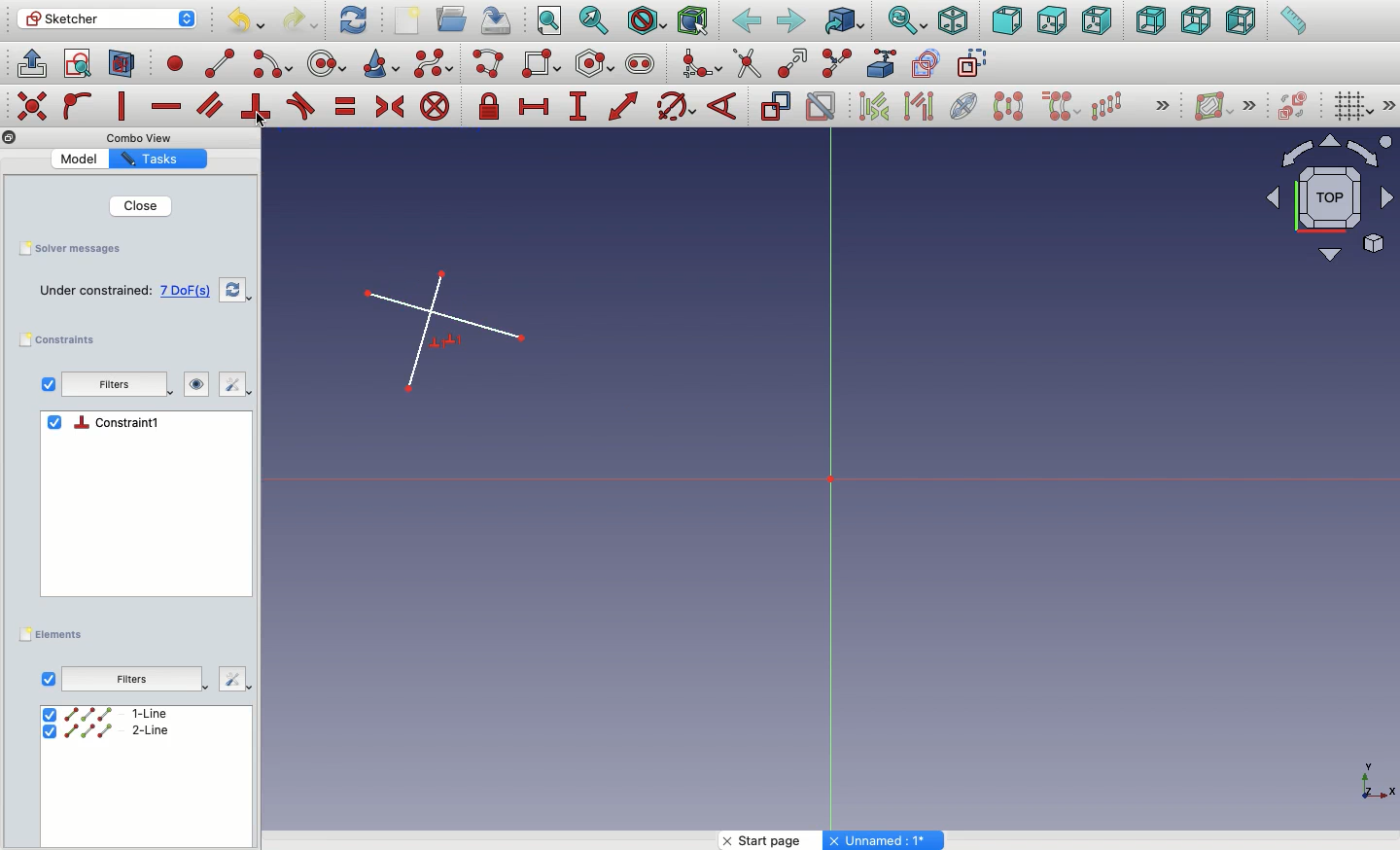  What do you see at coordinates (262, 120) in the screenshot?
I see `Click` at bounding box center [262, 120].